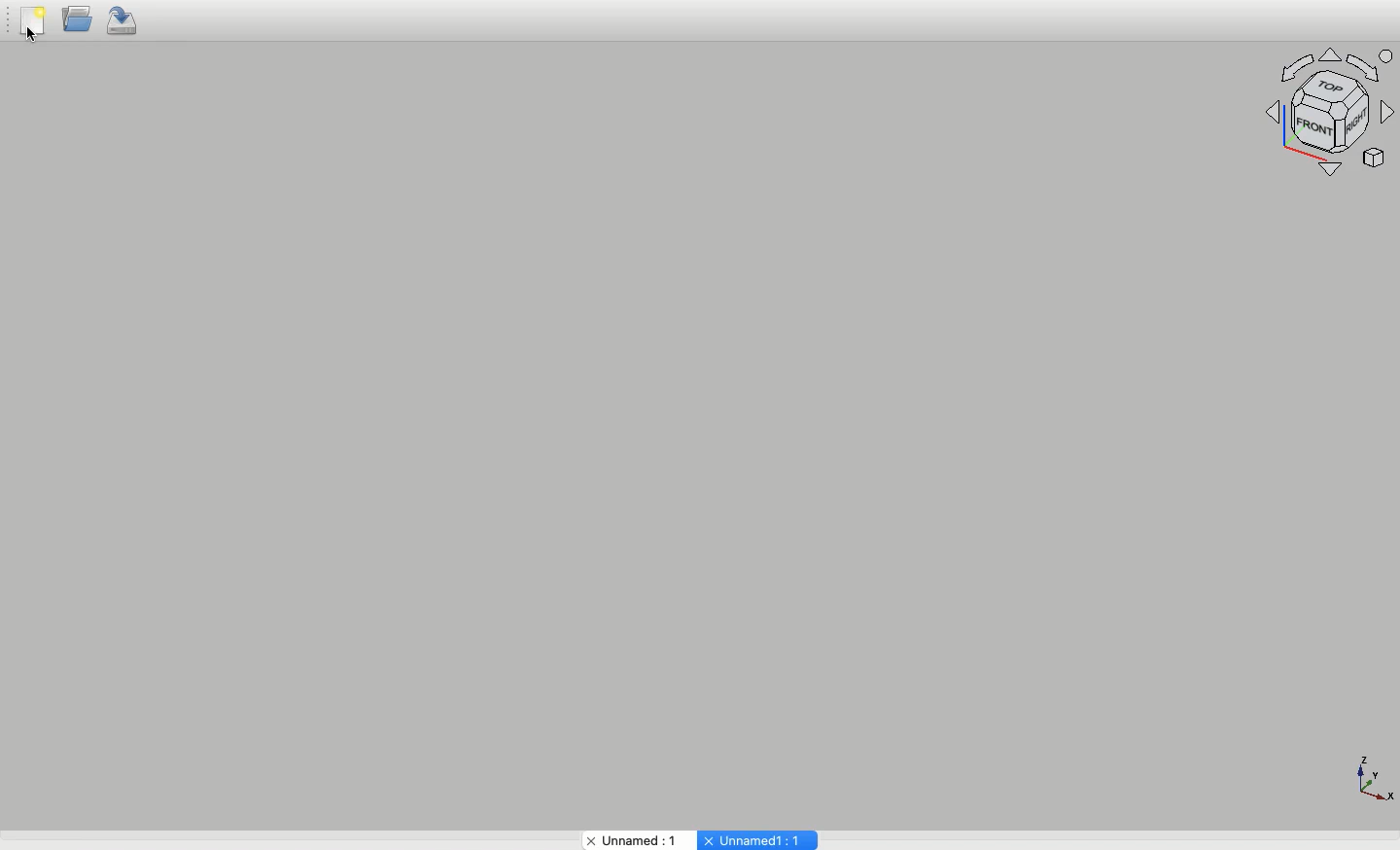  What do you see at coordinates (755, 836) in the screenshot?
I see `New document created` at bounding box center [755, 836].